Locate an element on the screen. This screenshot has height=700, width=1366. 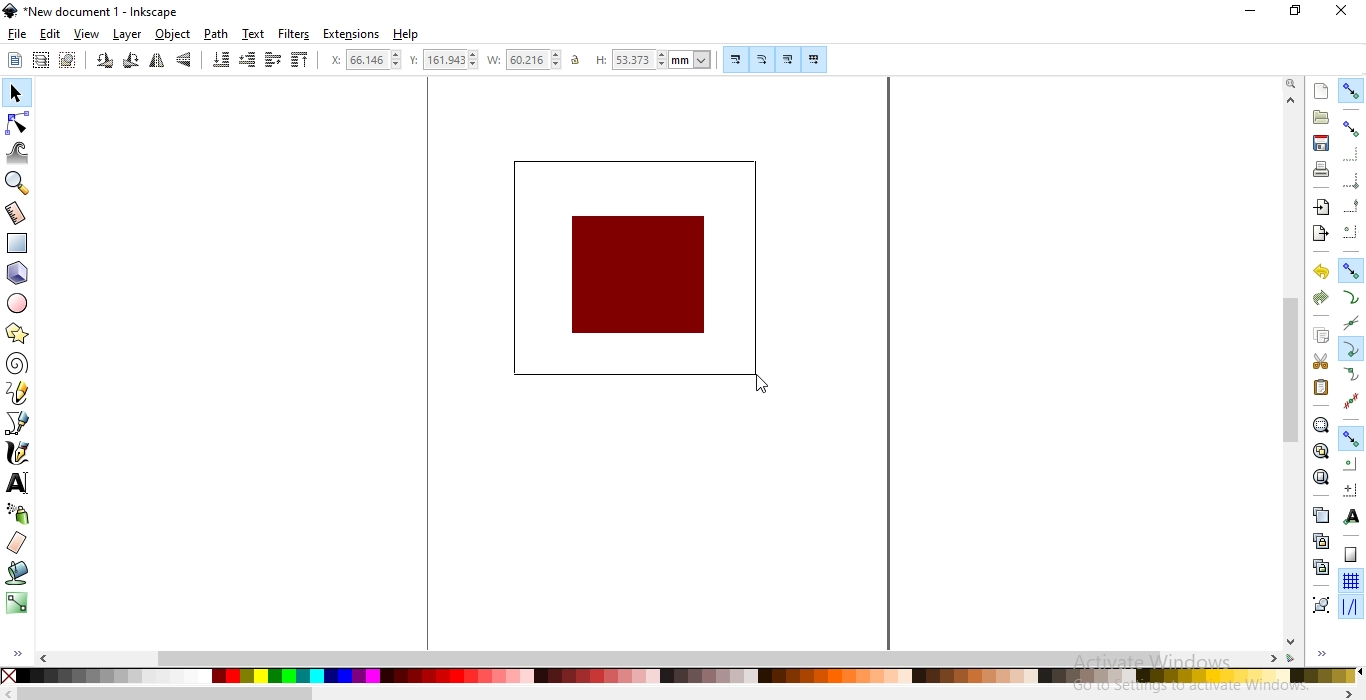
rotate 90 counter clockwise is located at coordinates (103, 62).